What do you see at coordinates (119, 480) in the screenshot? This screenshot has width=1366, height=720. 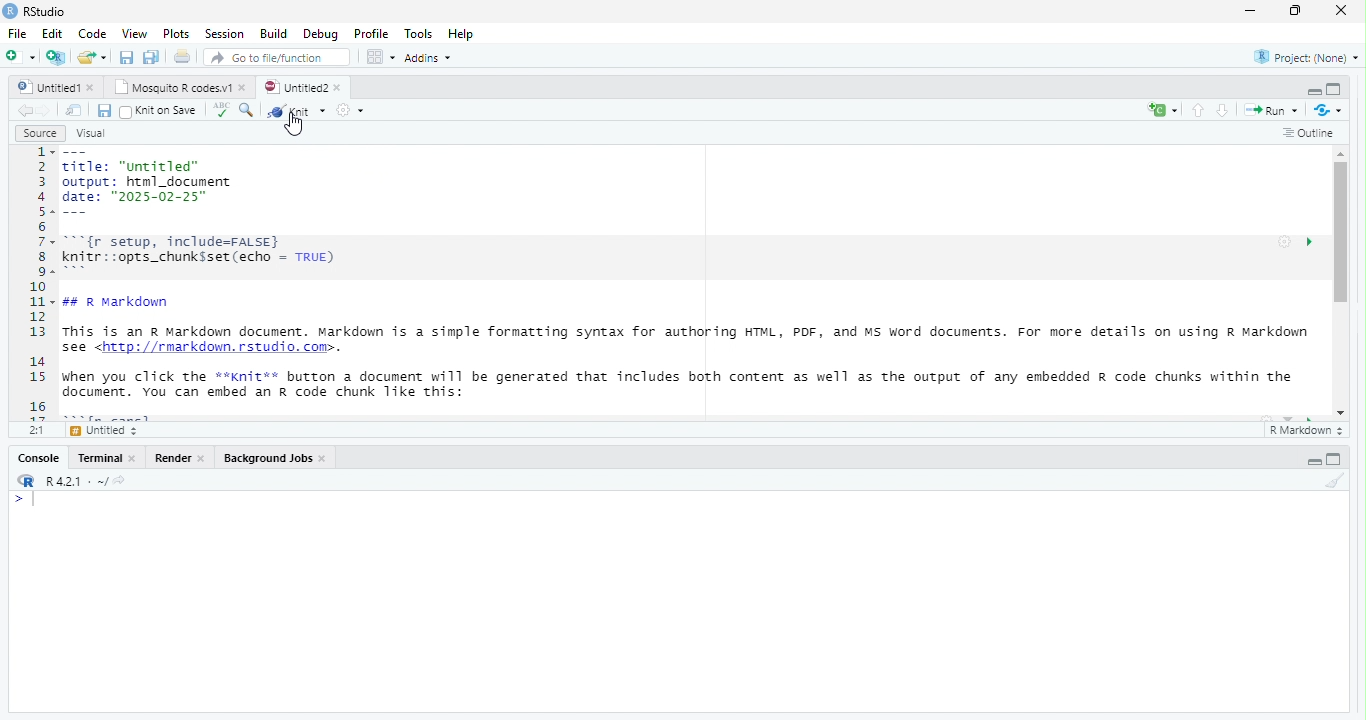 I see `share` at bounding box center [119, 480].